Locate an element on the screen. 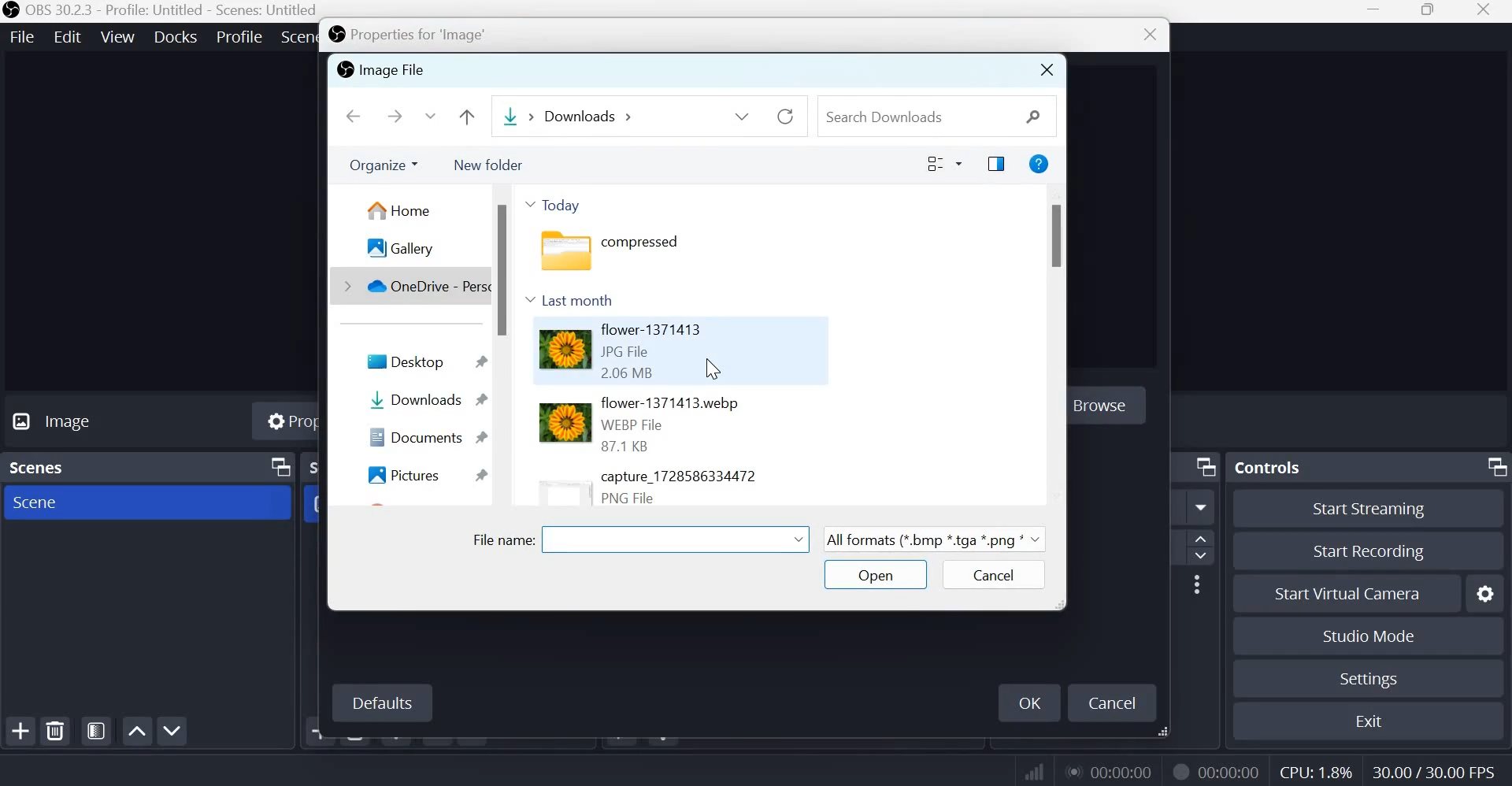  Defaults is located at coordinates (381, 704).